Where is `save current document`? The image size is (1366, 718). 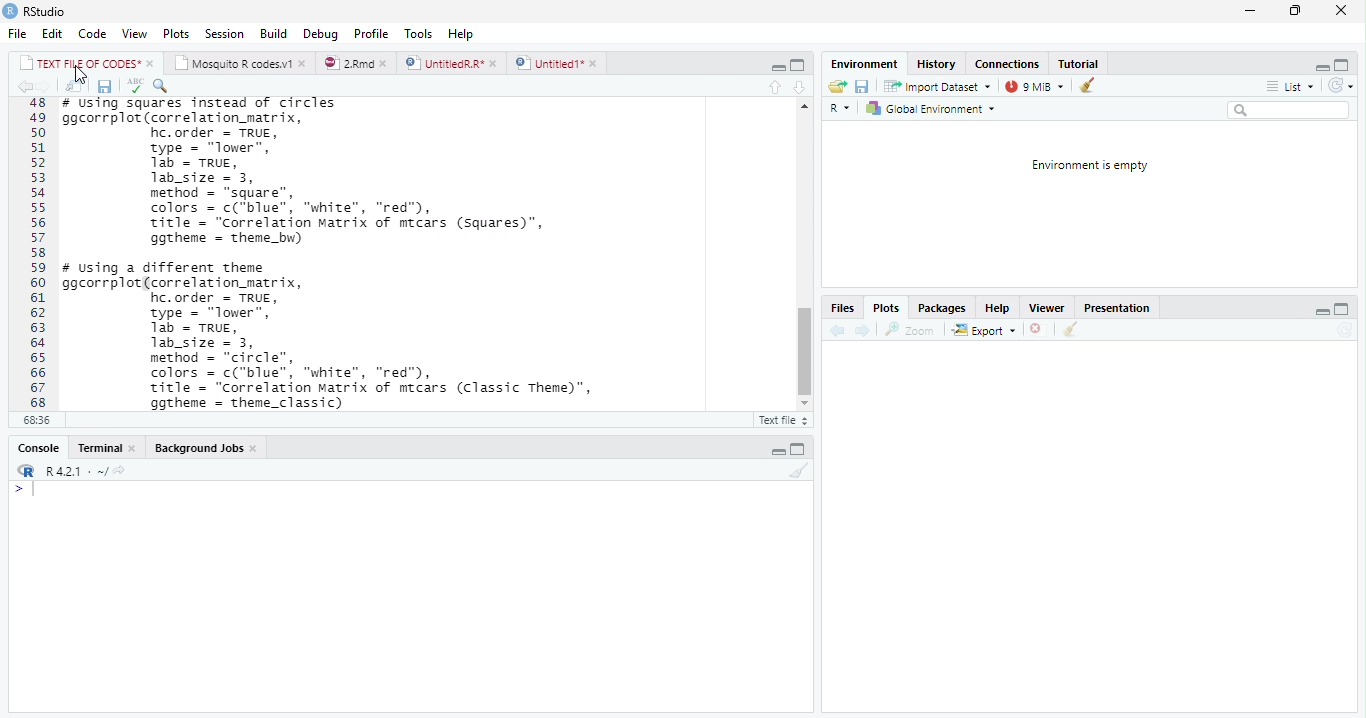 save current document is located at coordinates (105, 86).